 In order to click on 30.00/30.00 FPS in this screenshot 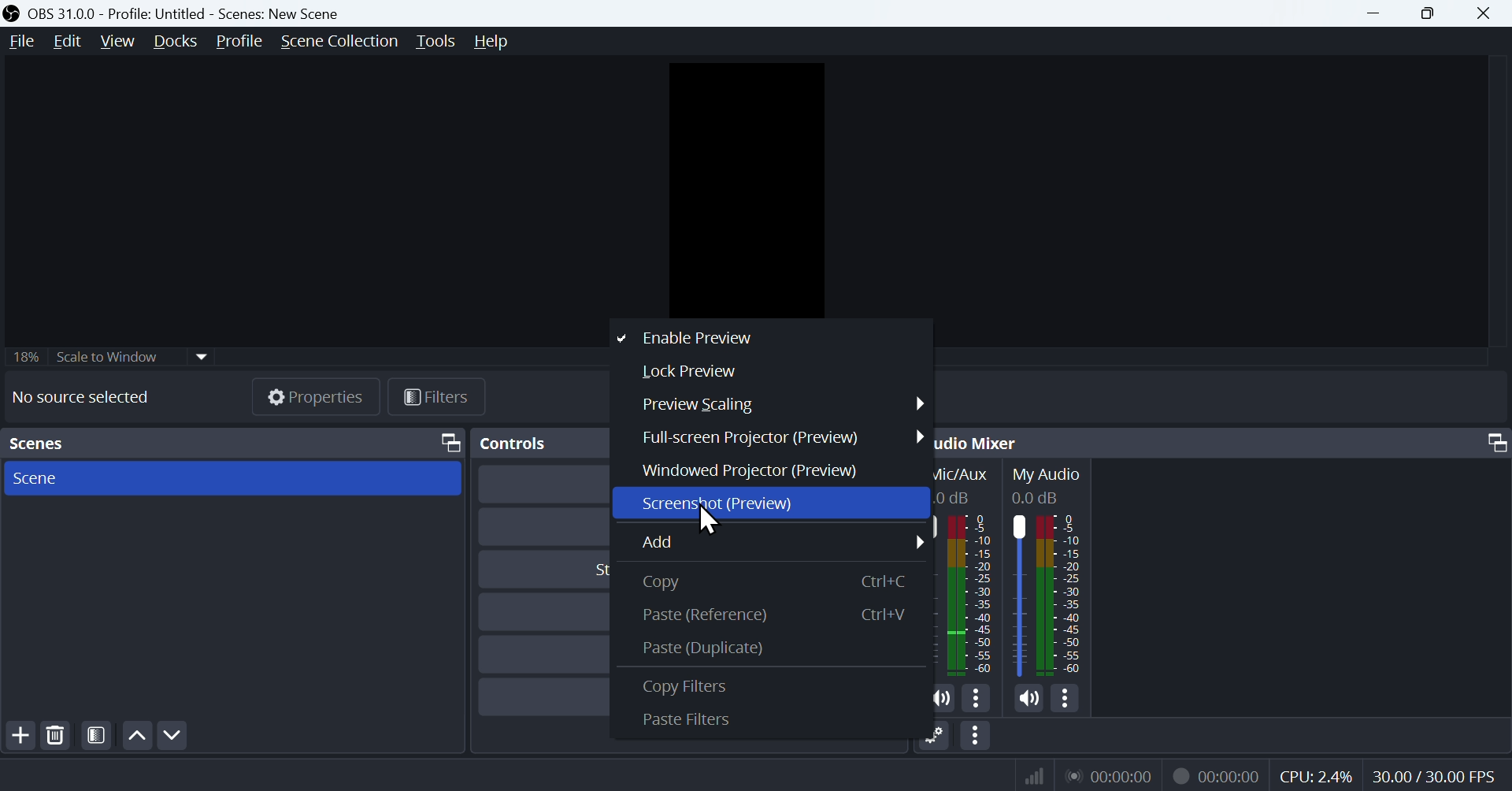, I will do `click(1439, 776)`.